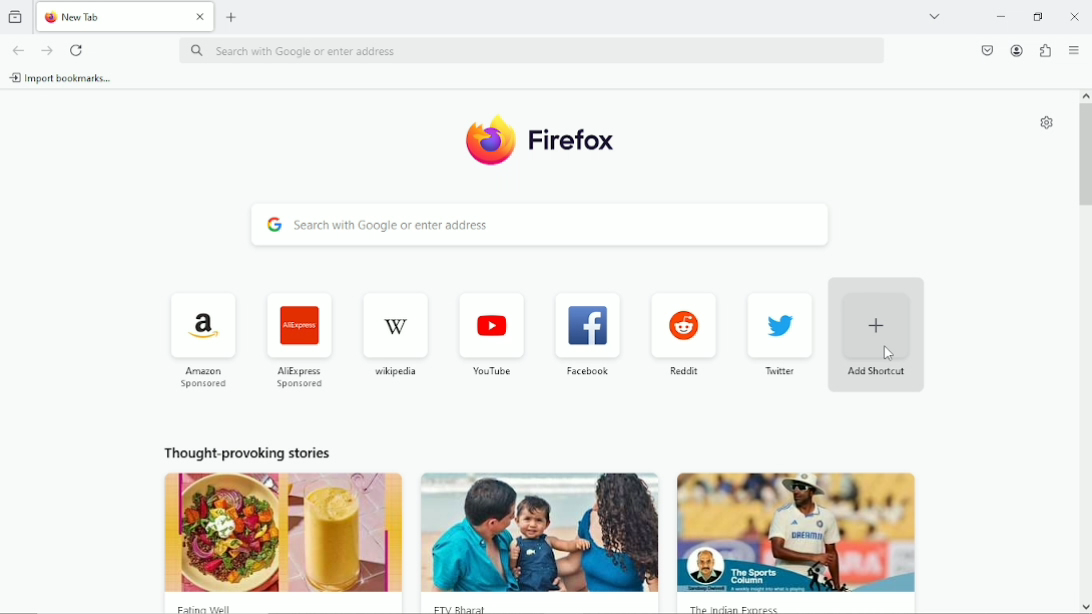 The image size is (1092, 614). Describe the element at coordinates (1074, 51) in the screenshot. I see `open application menu` at that location.